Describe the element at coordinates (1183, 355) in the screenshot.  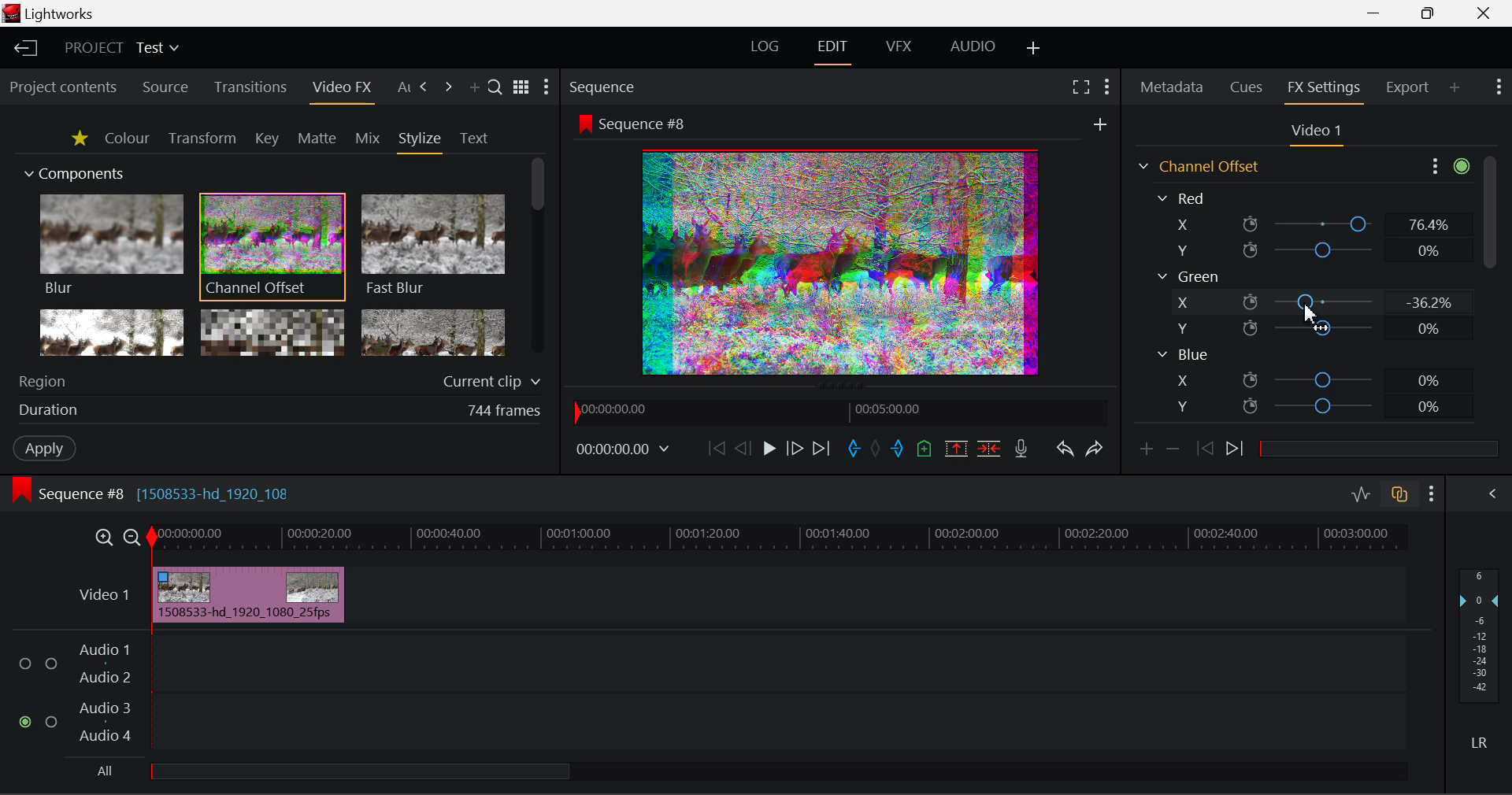
I see `Blue` at that location.